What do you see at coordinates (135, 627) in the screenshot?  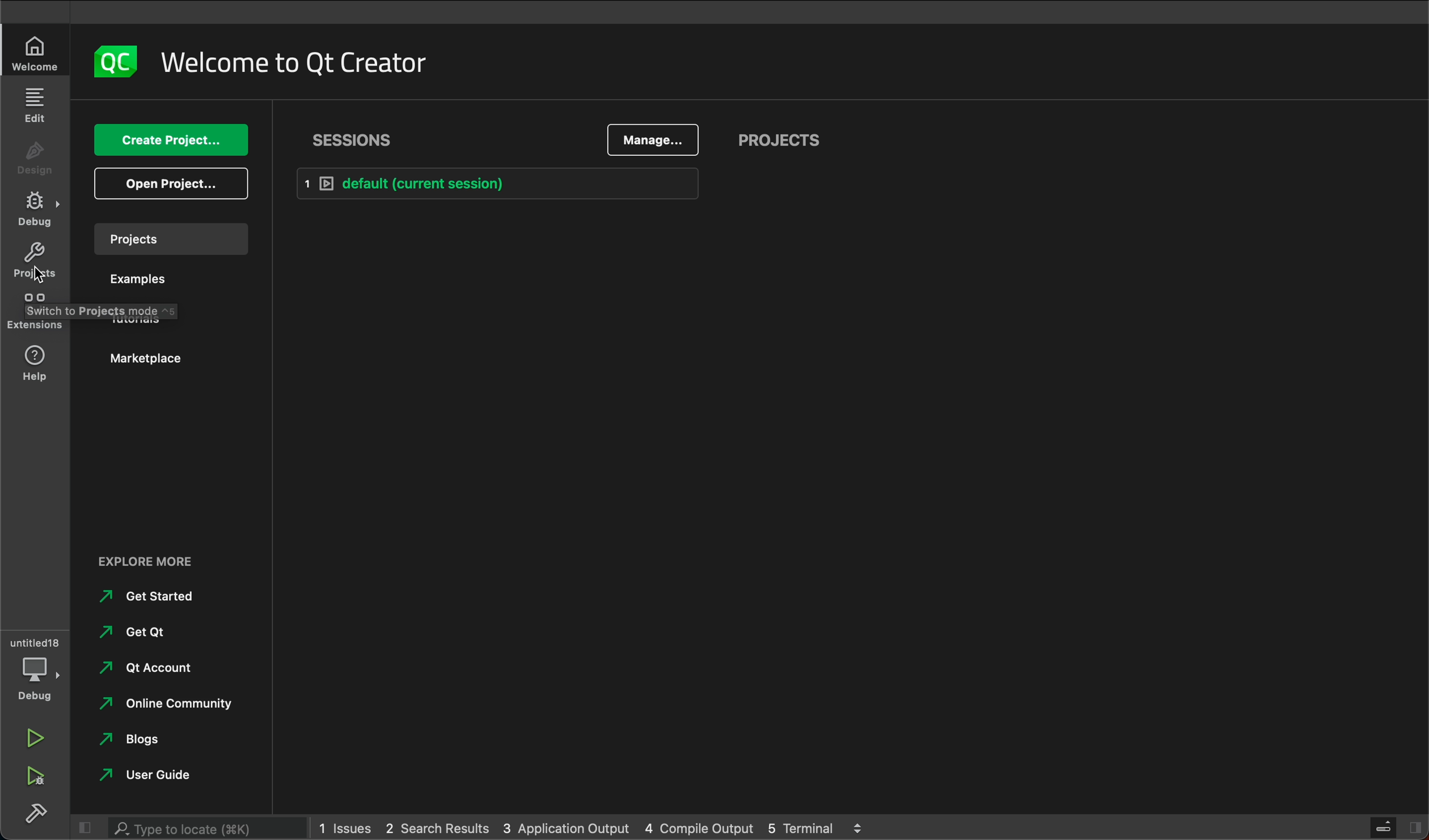 I see `get qt` at bounding box center [135, 627].